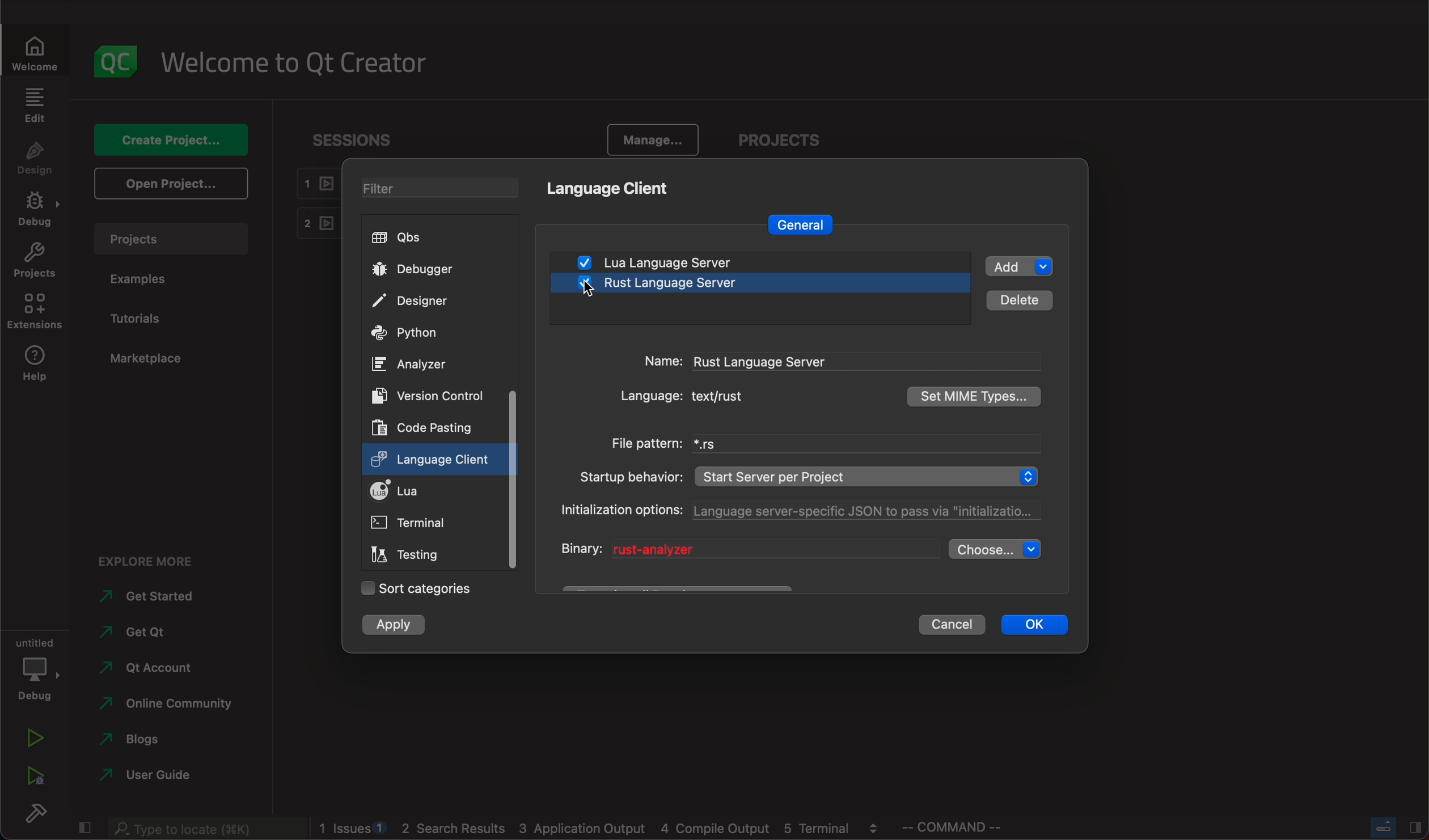 The height and width of the screenshot is (840, 1429). What do you see at coordinates (1020, 302) in the screenshot?
I see `details` at bounding box center [1020, 302].